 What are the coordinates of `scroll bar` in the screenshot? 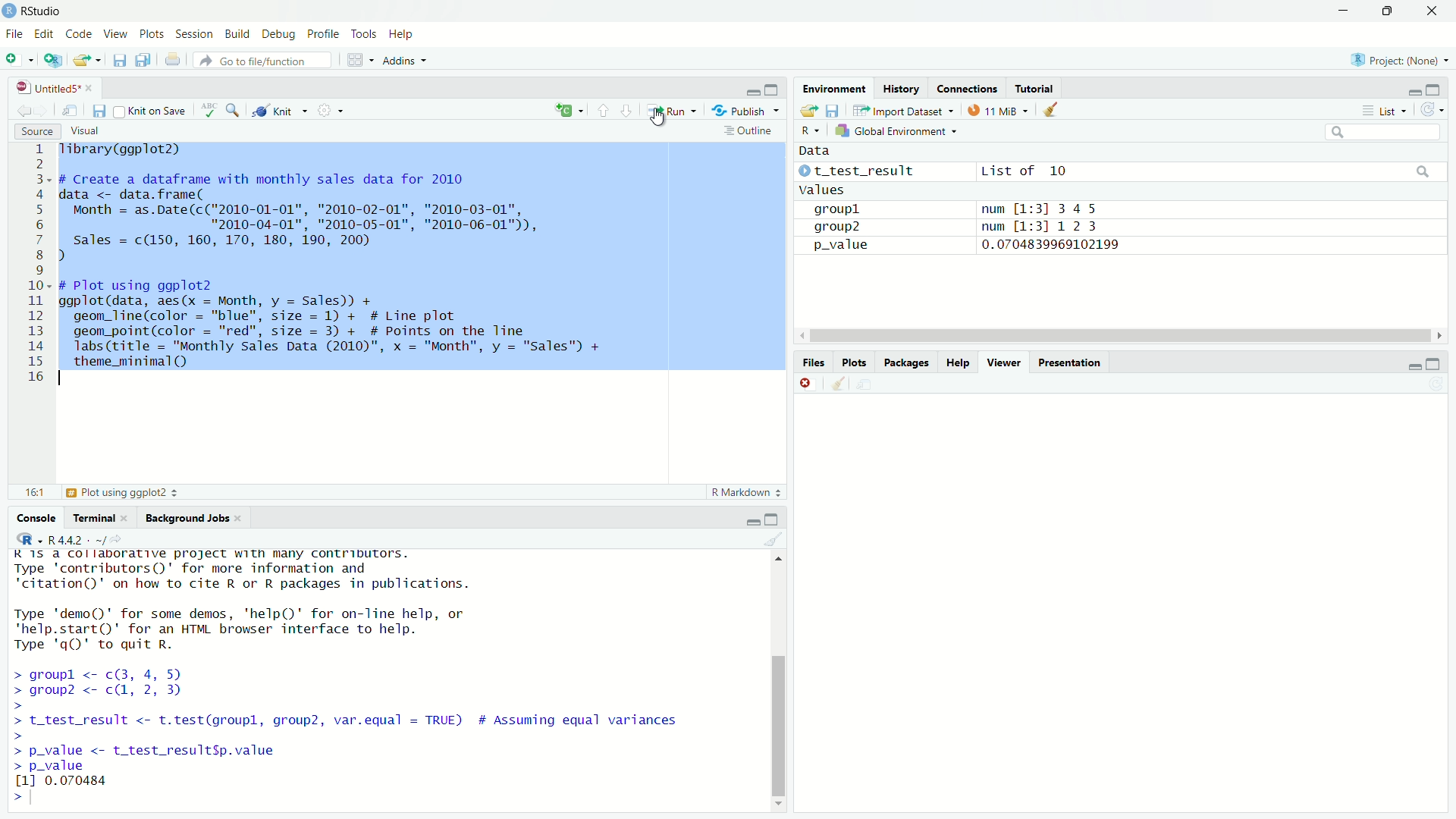 It's located at (1119, 336).